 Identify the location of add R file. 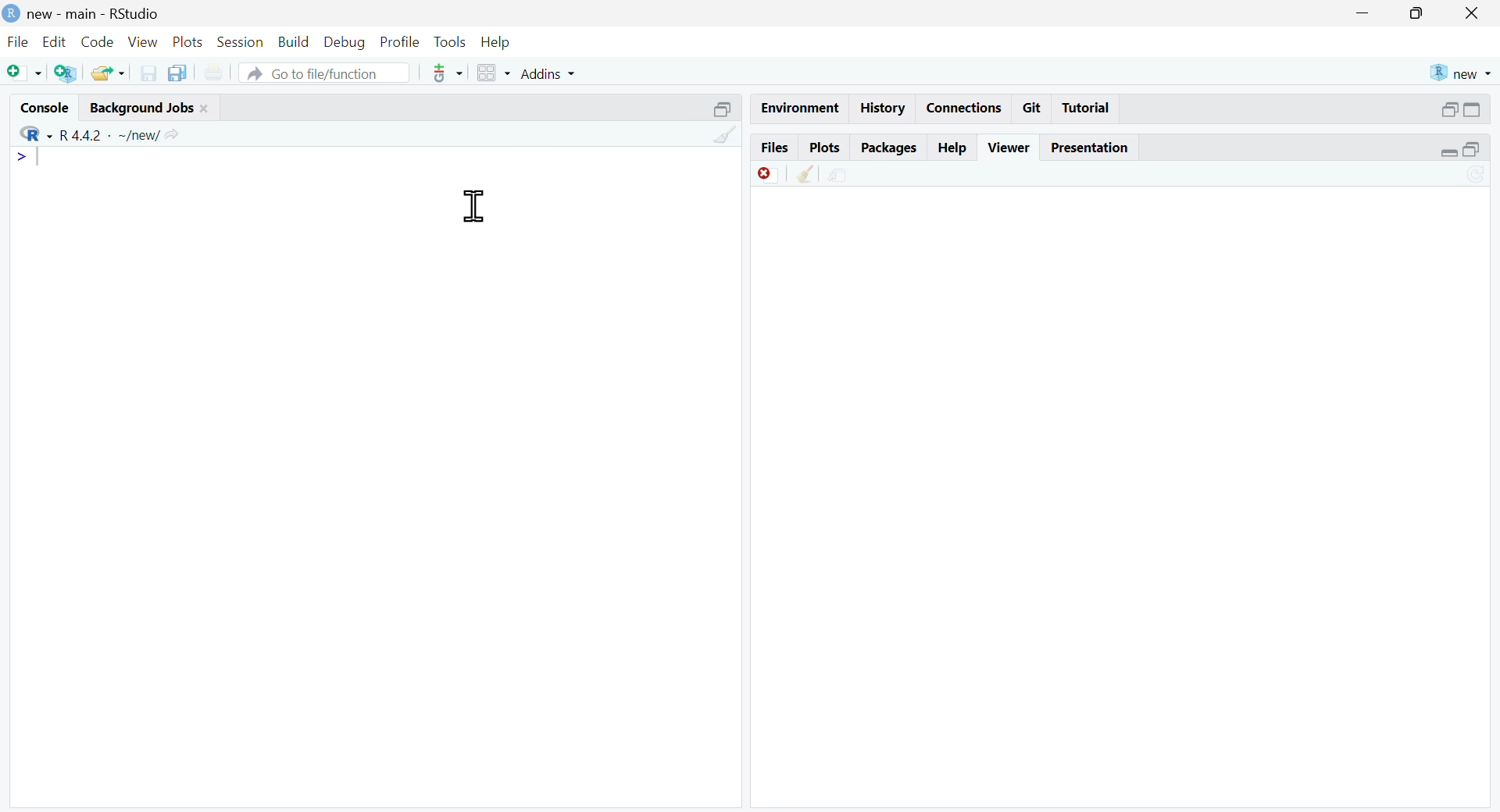
(67, 72).